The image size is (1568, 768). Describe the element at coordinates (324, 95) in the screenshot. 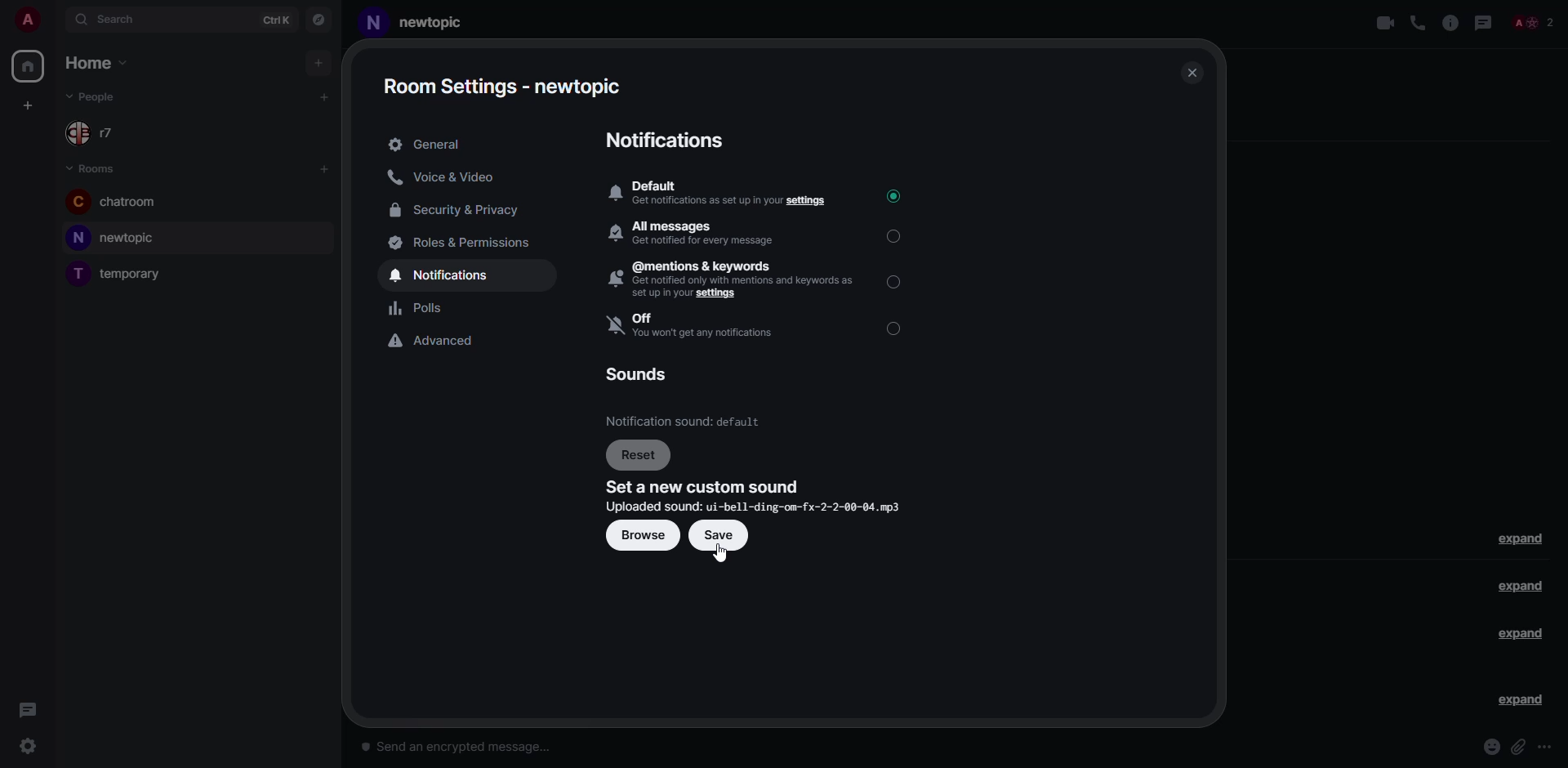

I see `add` at that location.